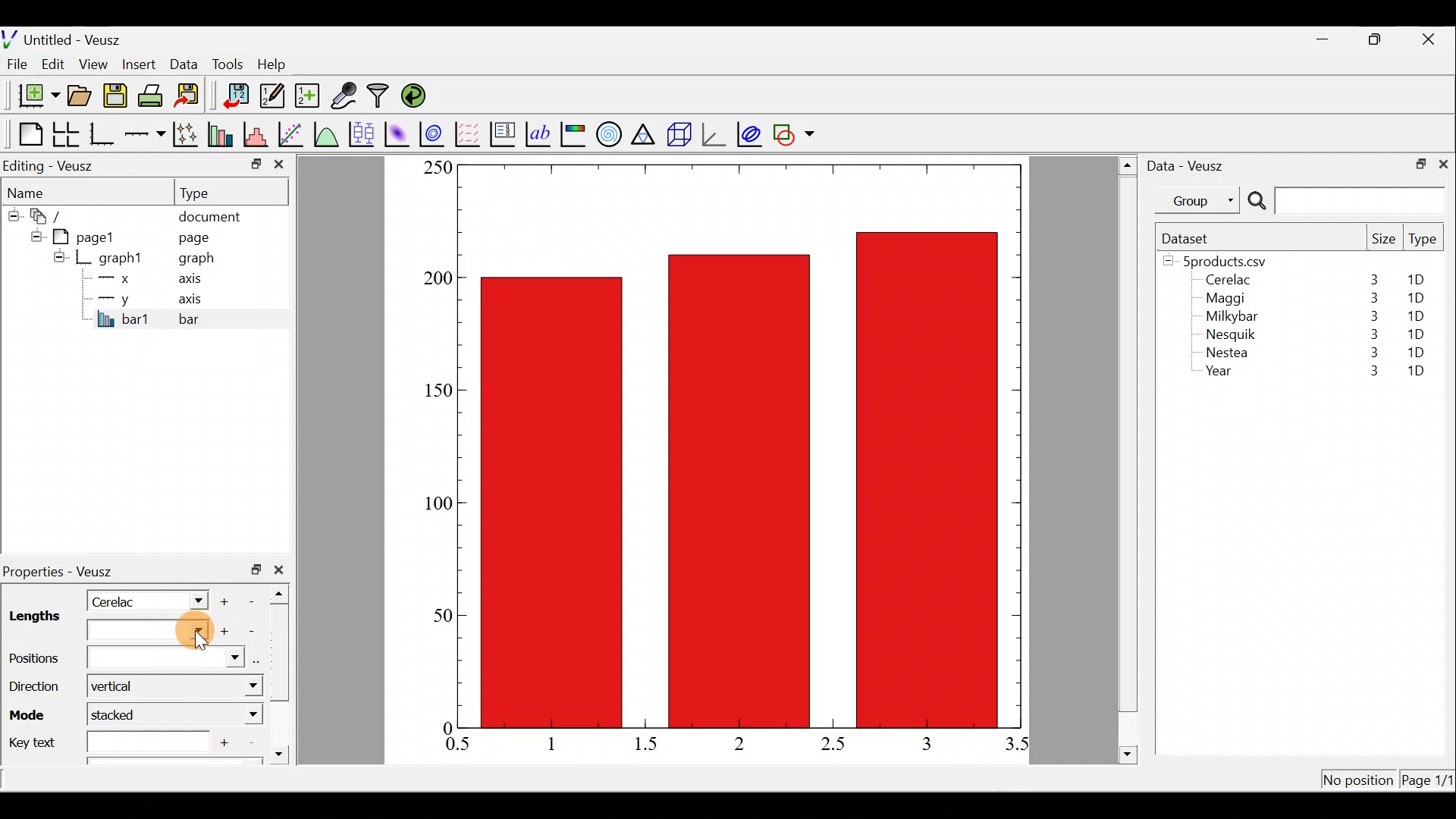 Image resolution: width=1456 pixels, height=819 pixels. What do you see at coordinates (188, 135) in the screenshot?
I see `Plot points with lines and error bars` at bounding box center [188, 135].